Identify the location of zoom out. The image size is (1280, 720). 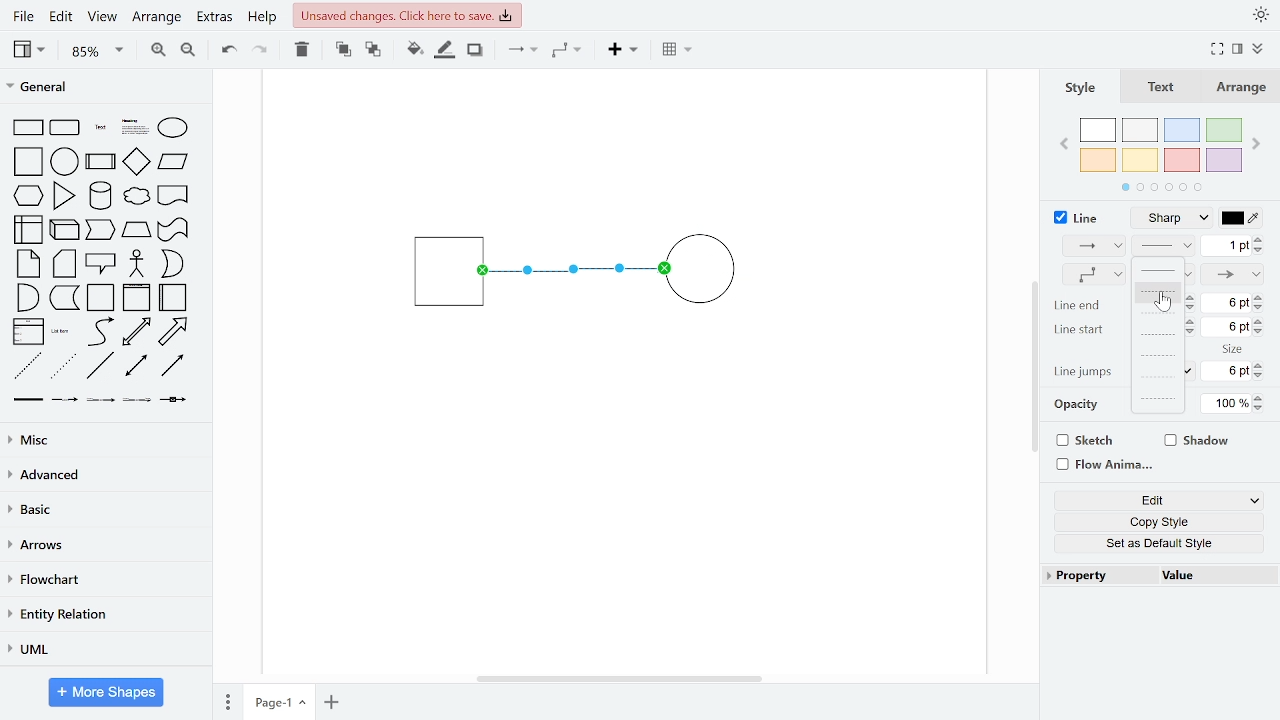
(187, 49).